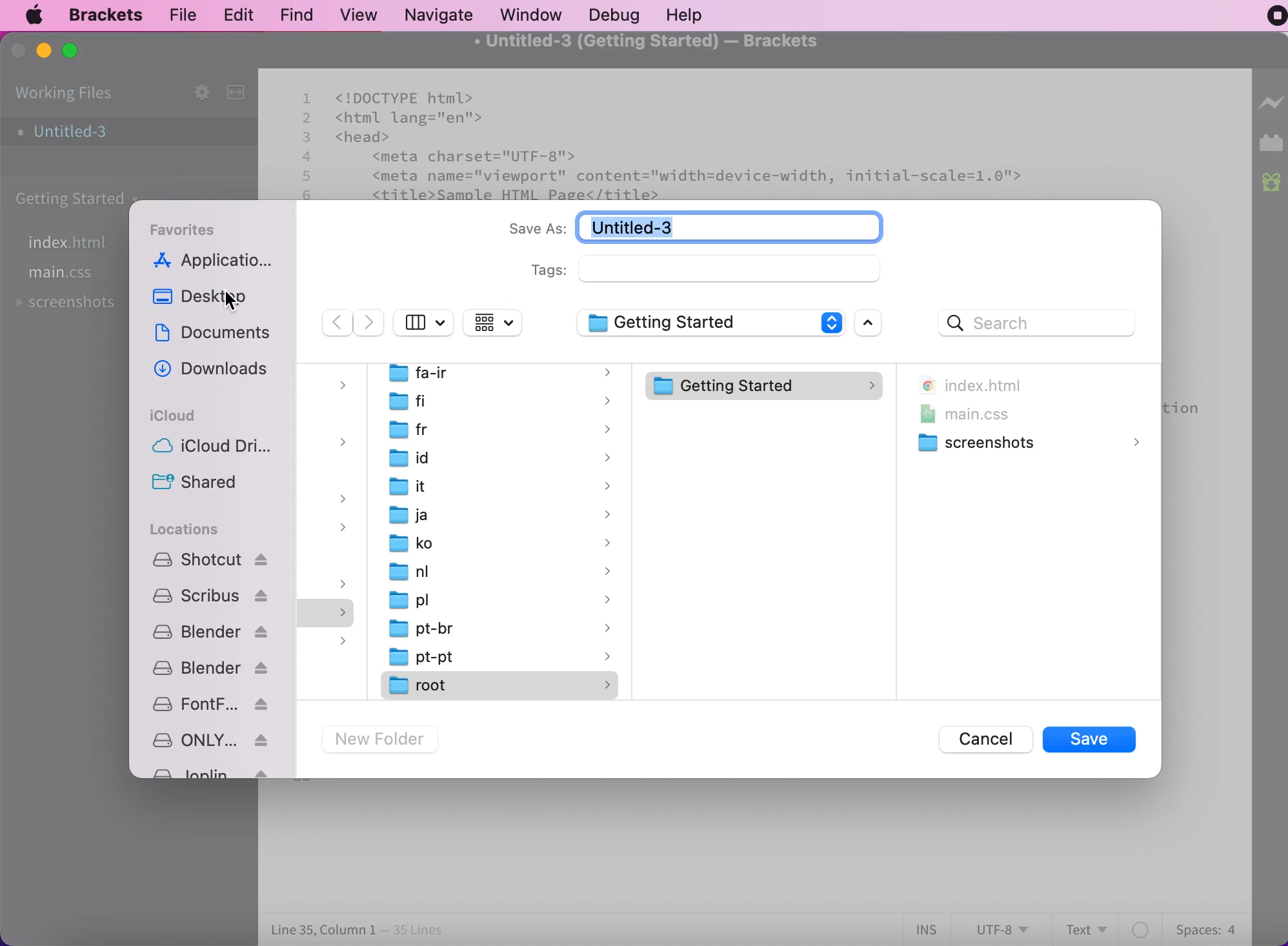 Image resolution: width=1288 pixels, height=946 pixels. What do you see at coordinates (72, 55) in the screenshot?
I see `maximize` at bounding box center [72, 55].